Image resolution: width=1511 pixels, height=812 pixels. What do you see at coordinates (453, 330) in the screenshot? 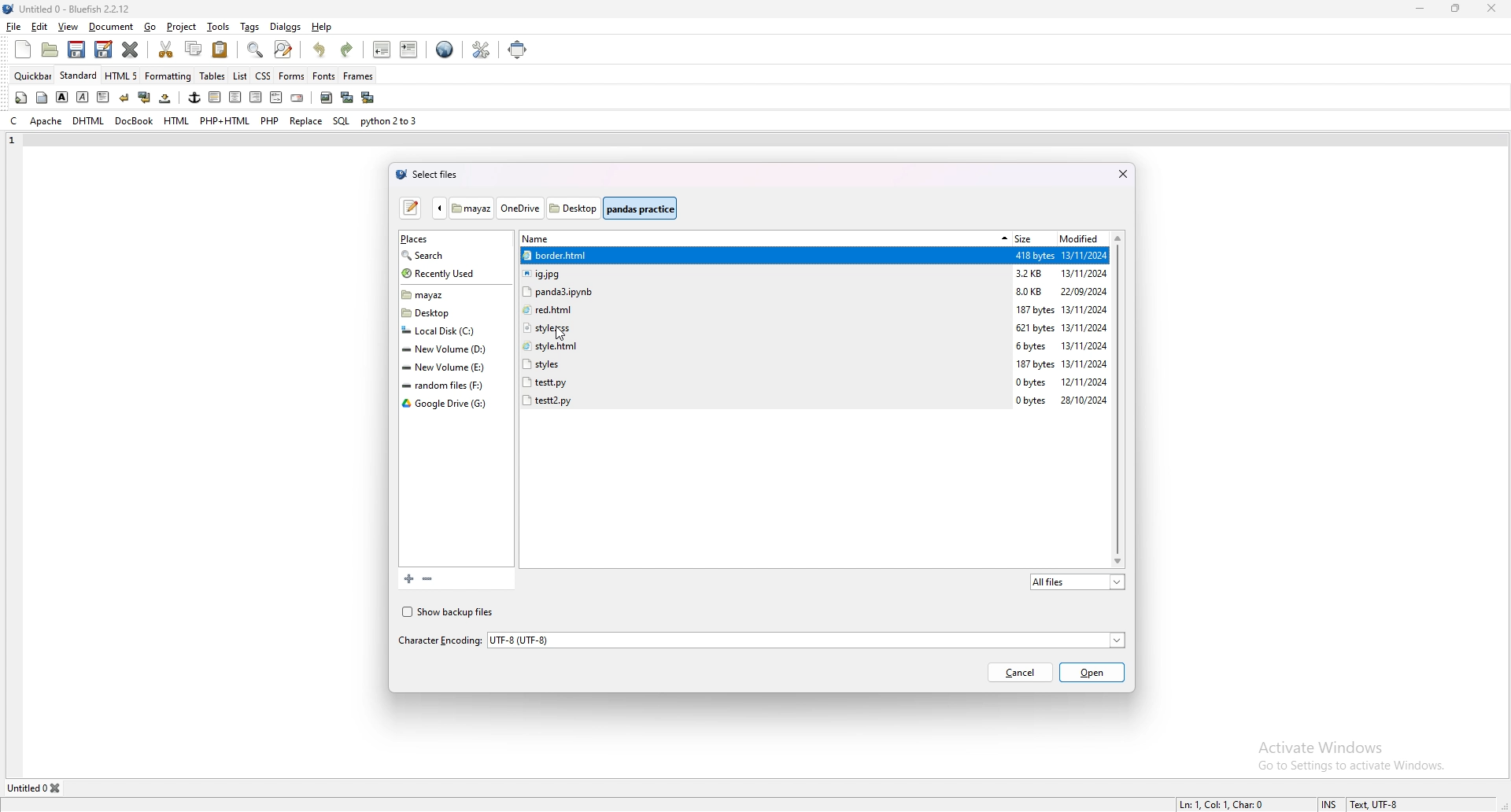
I see `folder` at bounding box center [453, 330].